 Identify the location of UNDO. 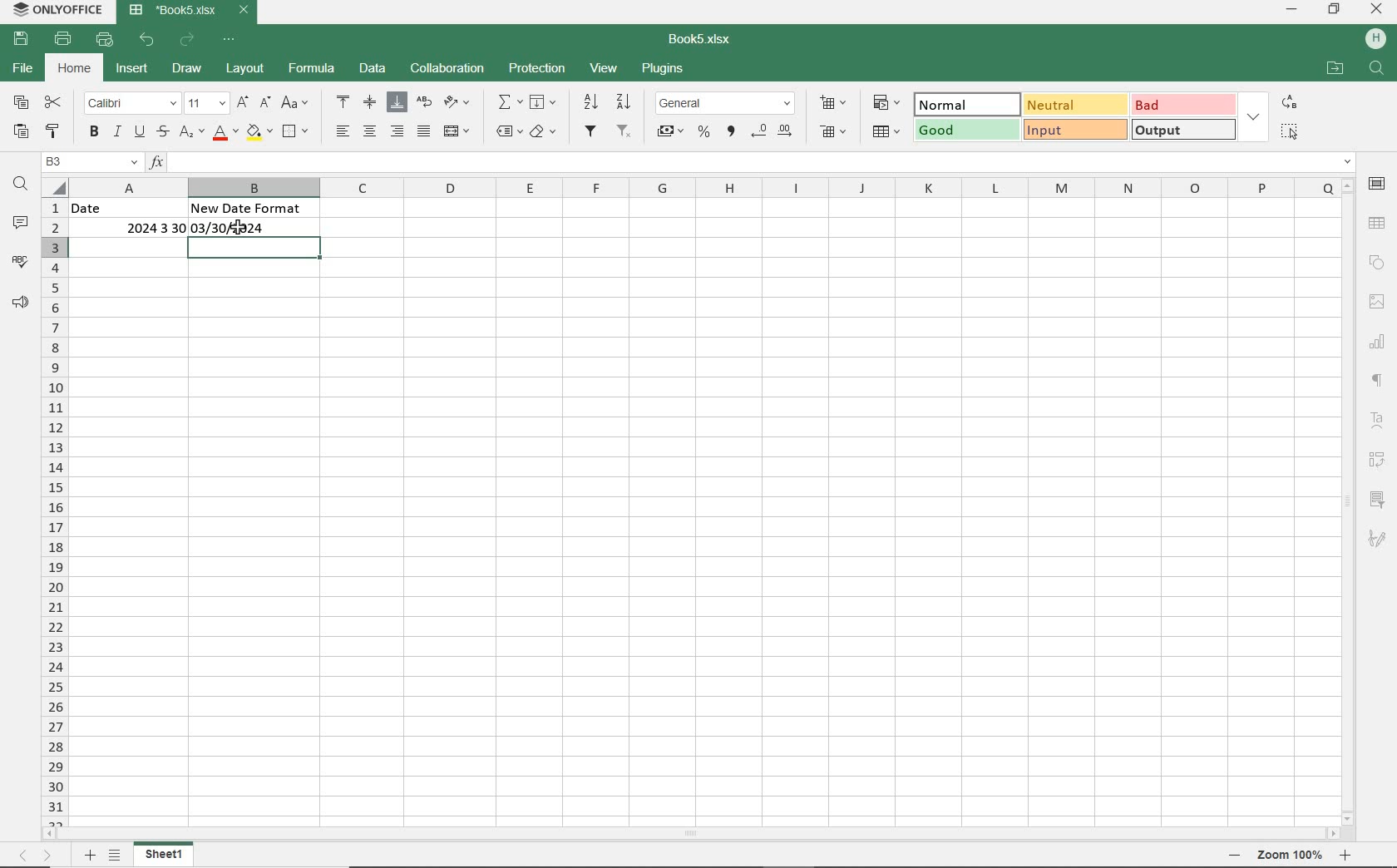
(146, 39).